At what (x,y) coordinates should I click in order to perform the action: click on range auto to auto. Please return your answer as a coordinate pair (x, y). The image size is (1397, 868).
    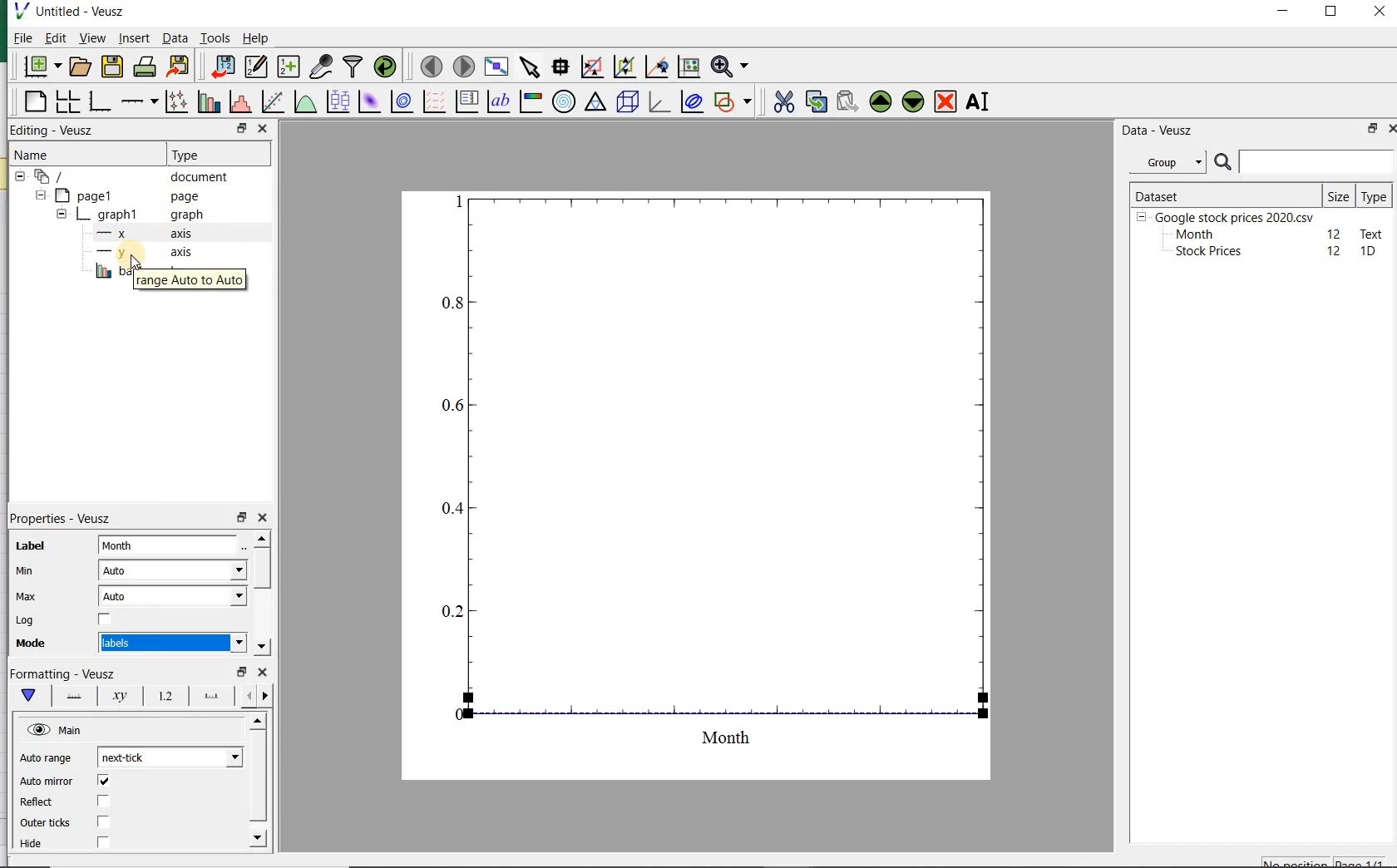
    Looking at the image, I should click on (193, 280).